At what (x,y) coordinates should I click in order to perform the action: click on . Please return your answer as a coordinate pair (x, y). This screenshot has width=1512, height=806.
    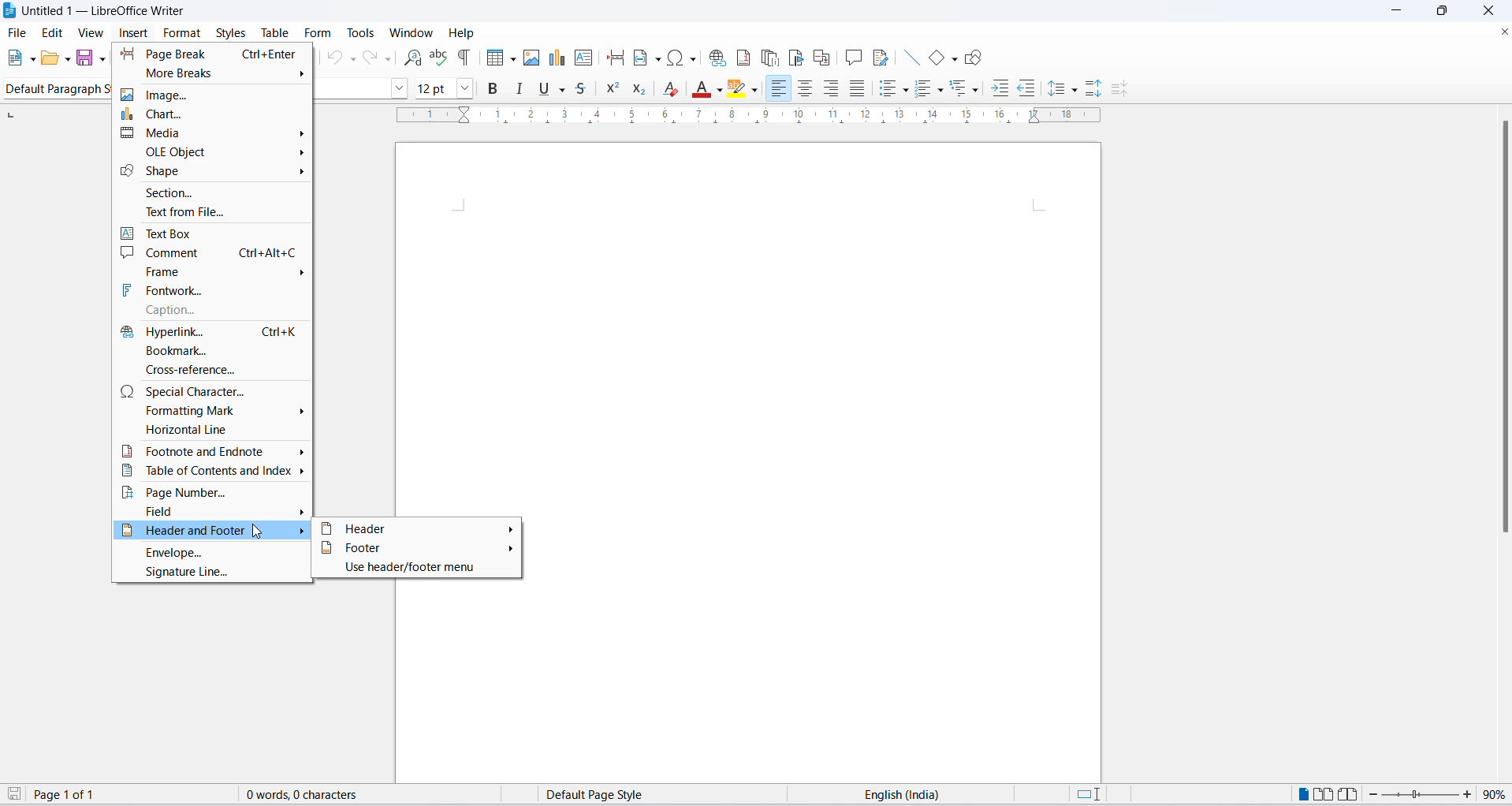
    Looking at the image, I should click on (1492, 9).